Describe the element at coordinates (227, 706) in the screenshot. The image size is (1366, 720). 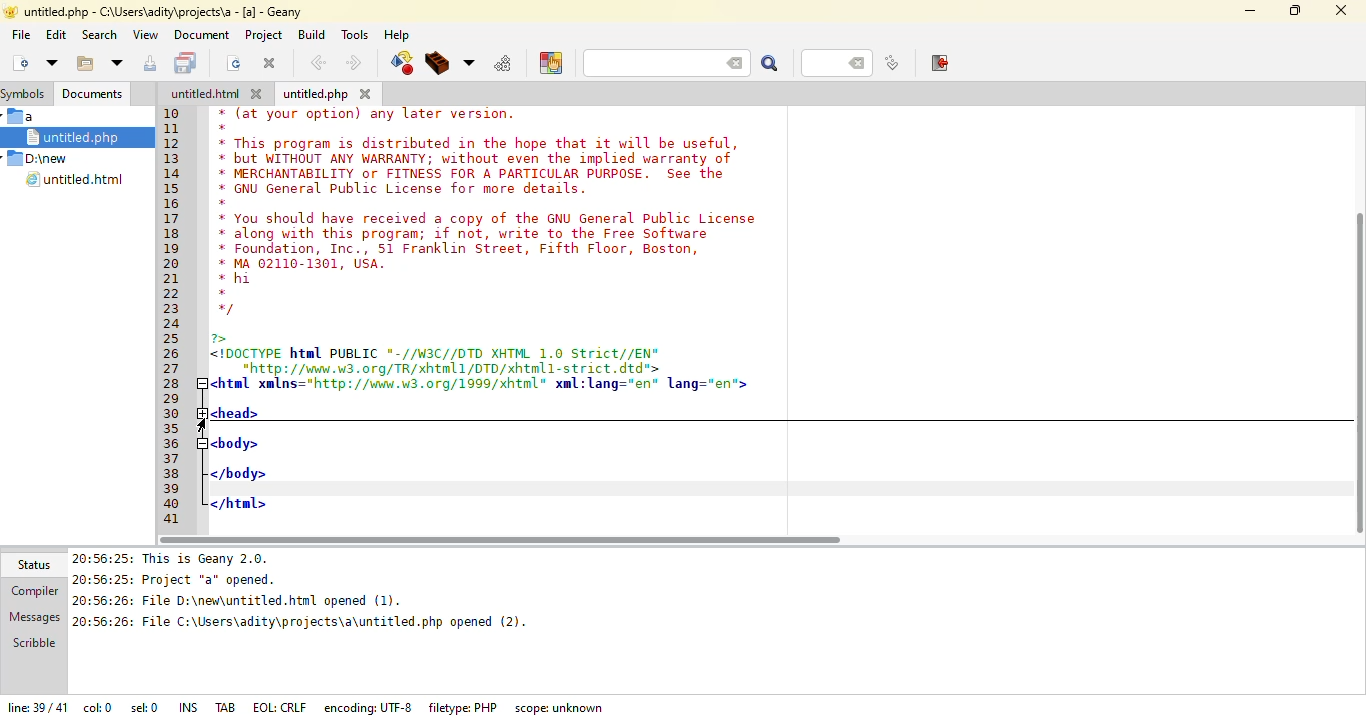
I see `tab` at that location.